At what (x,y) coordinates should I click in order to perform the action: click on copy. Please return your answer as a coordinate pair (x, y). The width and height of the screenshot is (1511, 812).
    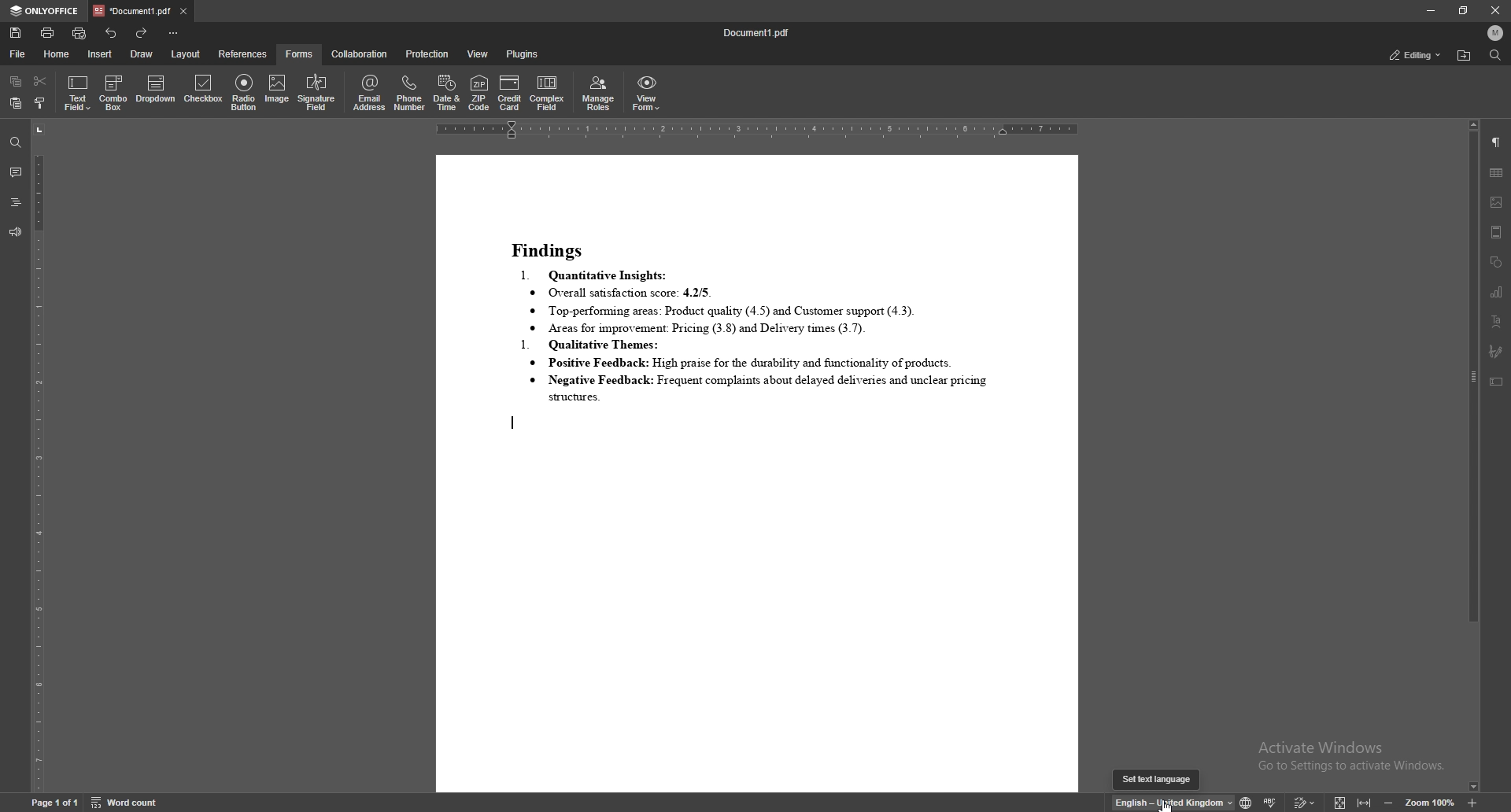
    Looking at the image, I should click on (16, 81).